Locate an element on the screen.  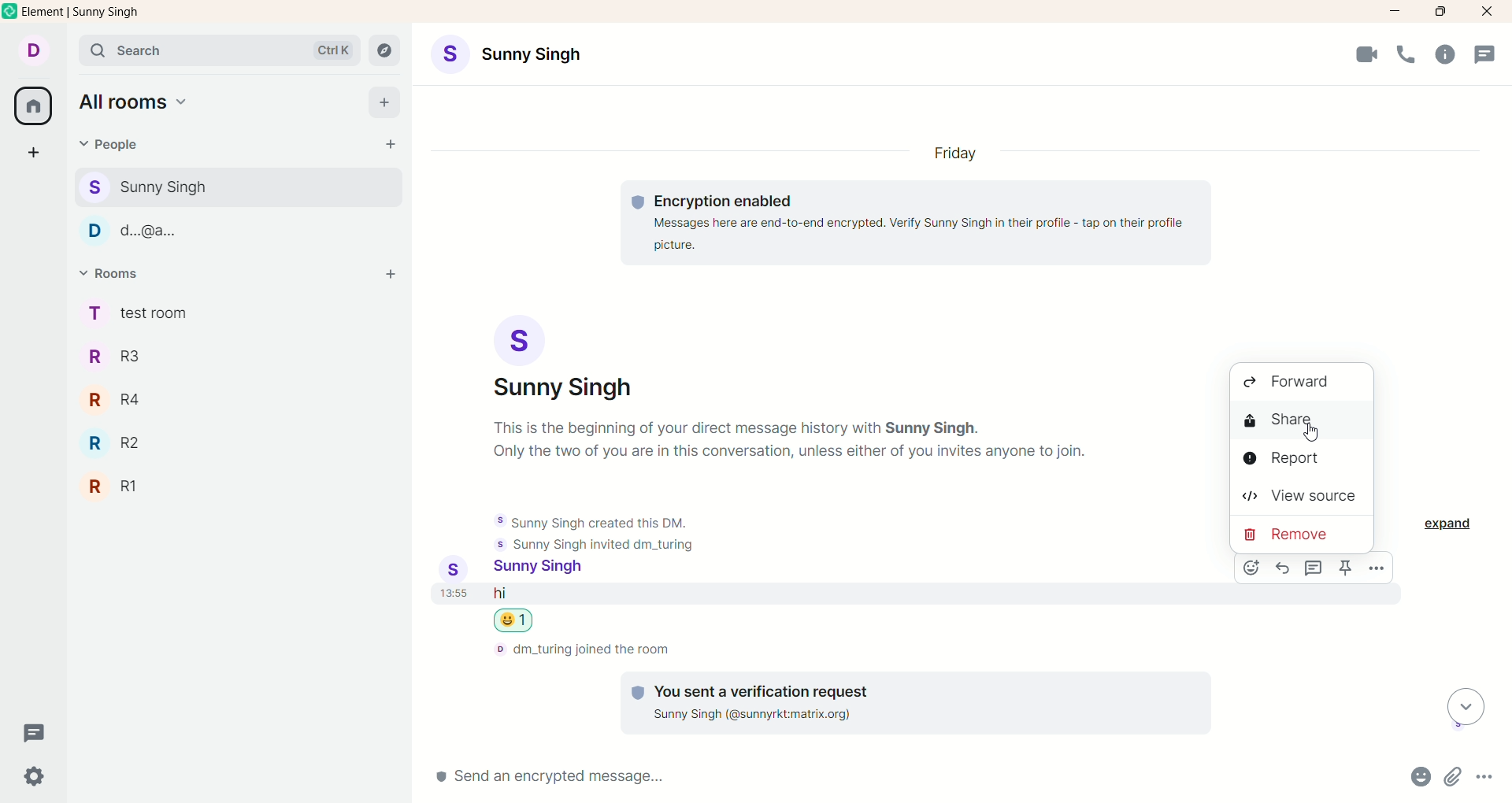
options is located at coordinates (1349, 568).